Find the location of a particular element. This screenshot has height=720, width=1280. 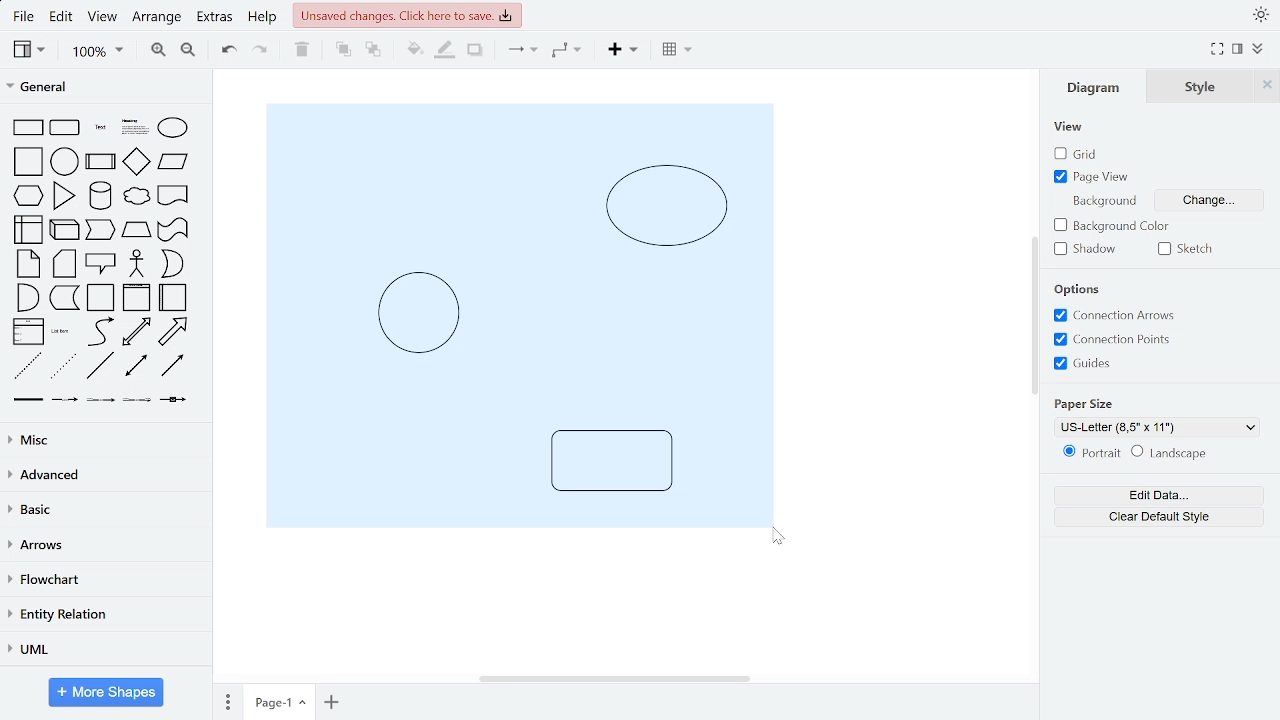

sketch is located at coordinates (1190, 248).